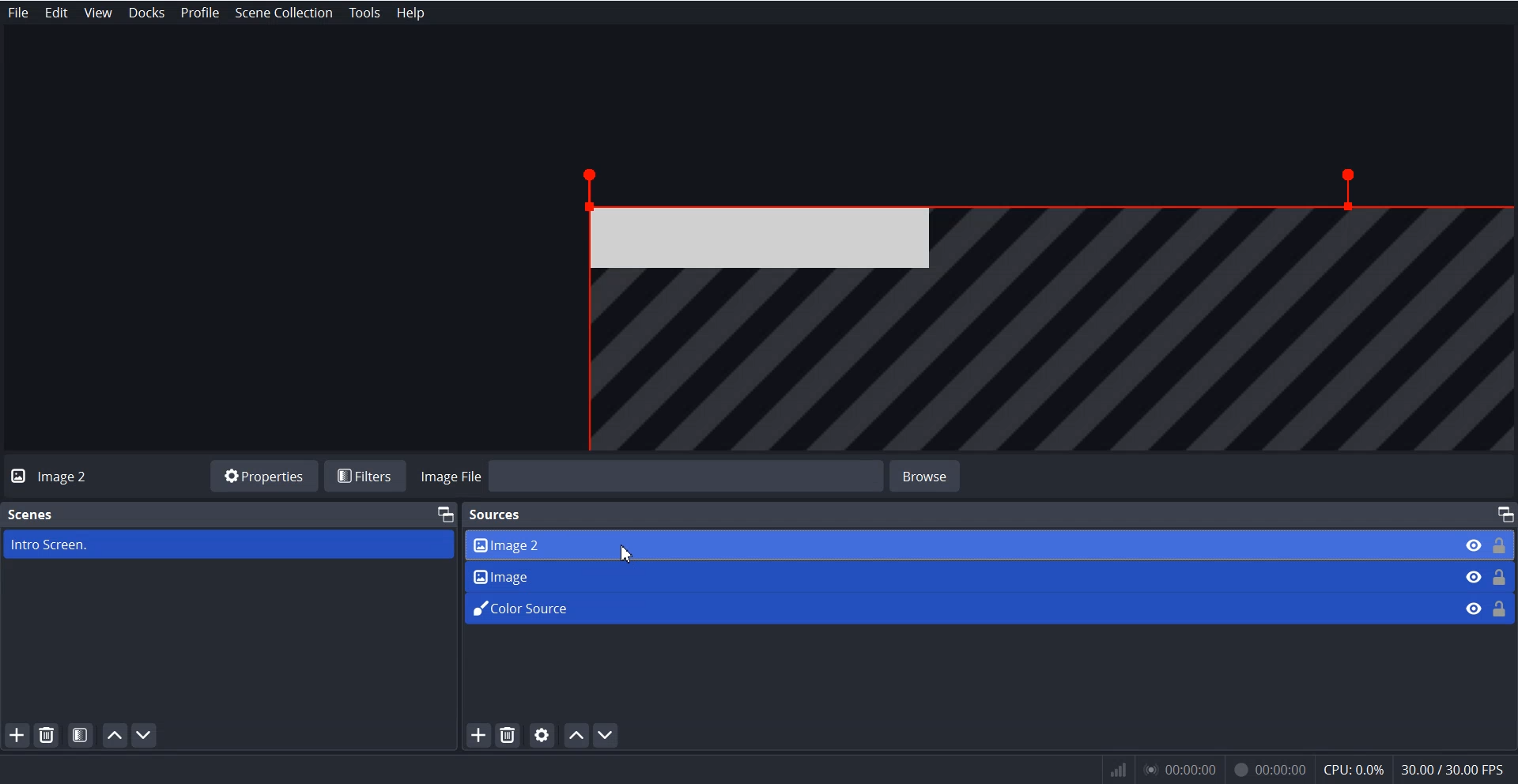 This screenshot has width=1518, height=784. I want to click on Cursor, so click(629, 555).